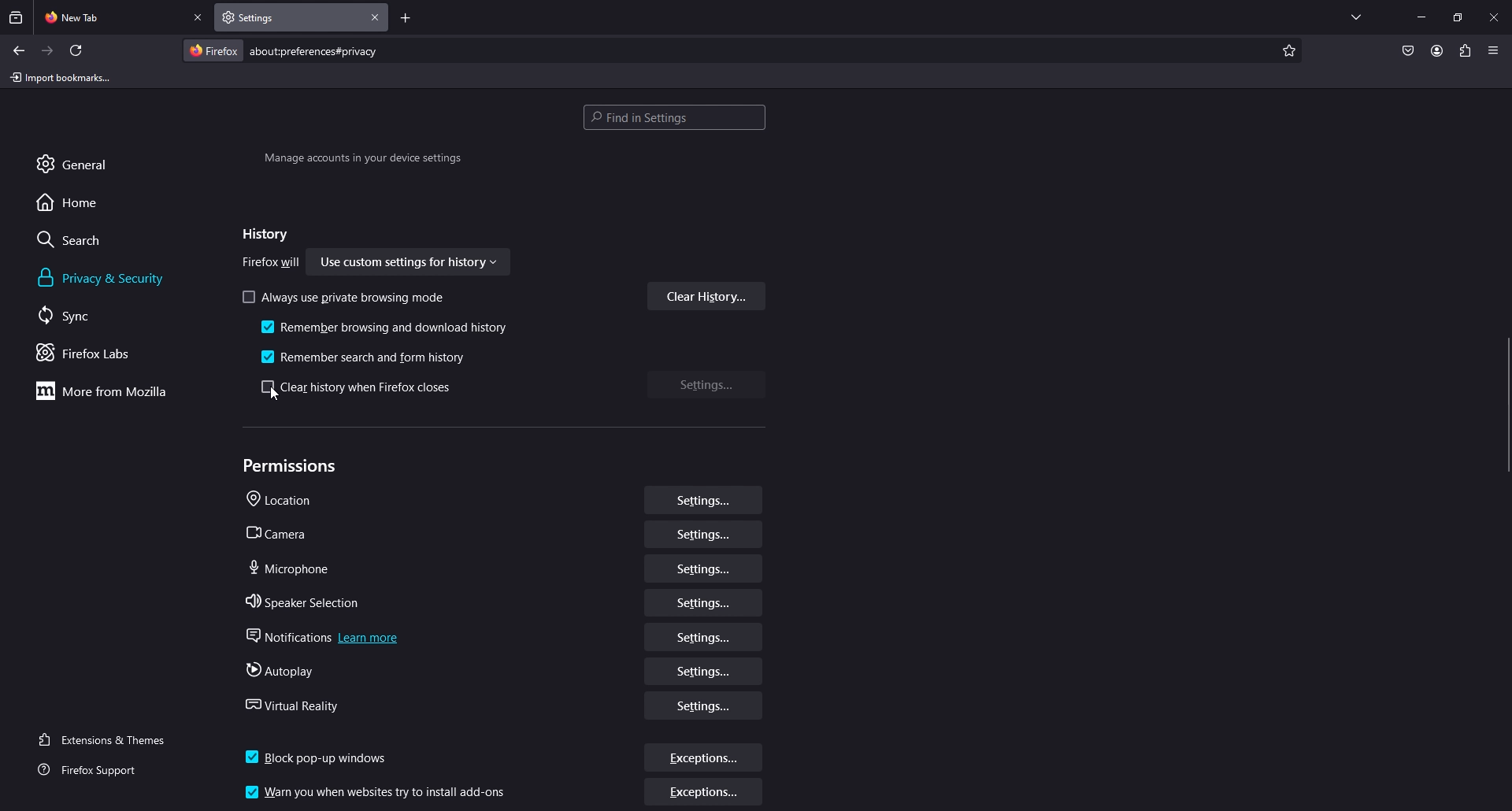 Image resolution: width=1512 pixels, height=811 pixels. What do you see at coordinates (320, 753) in the screenshot?
I see `block pop up window` at bounding box center [320, 753].